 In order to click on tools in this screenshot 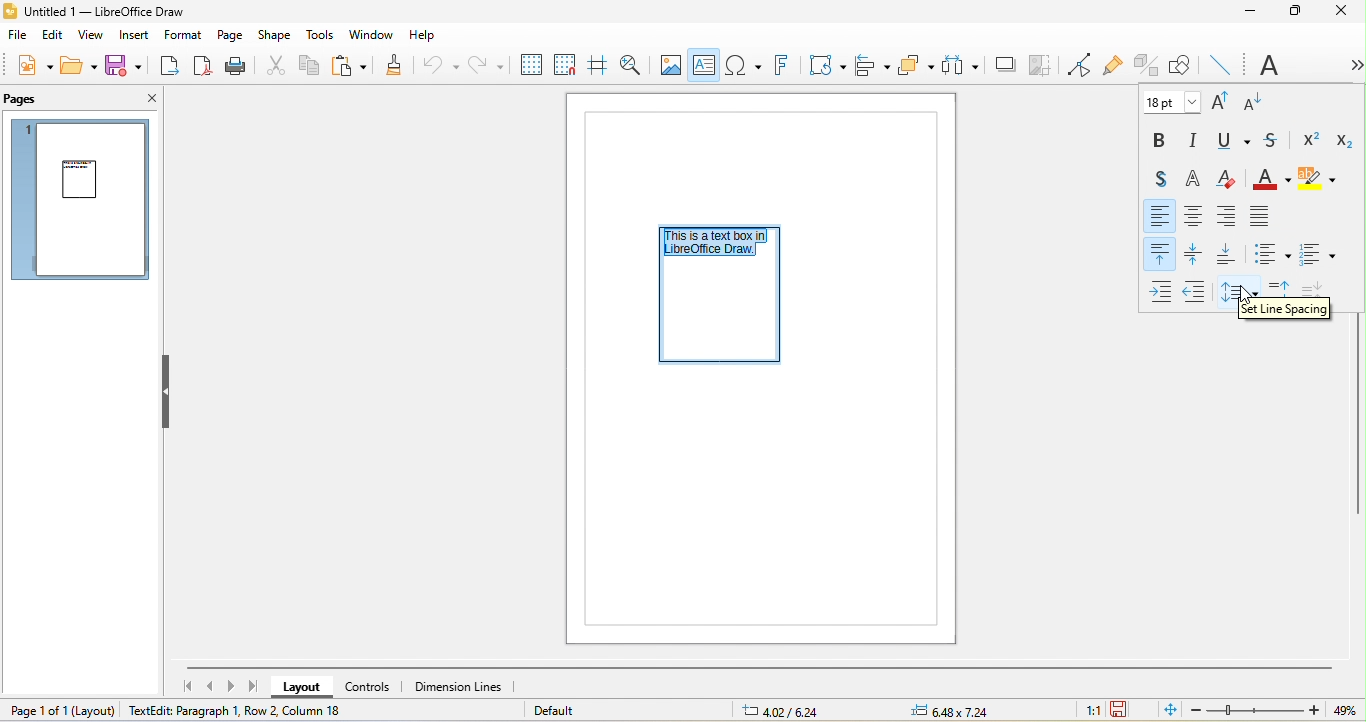, I will do `click(320, 36)`.